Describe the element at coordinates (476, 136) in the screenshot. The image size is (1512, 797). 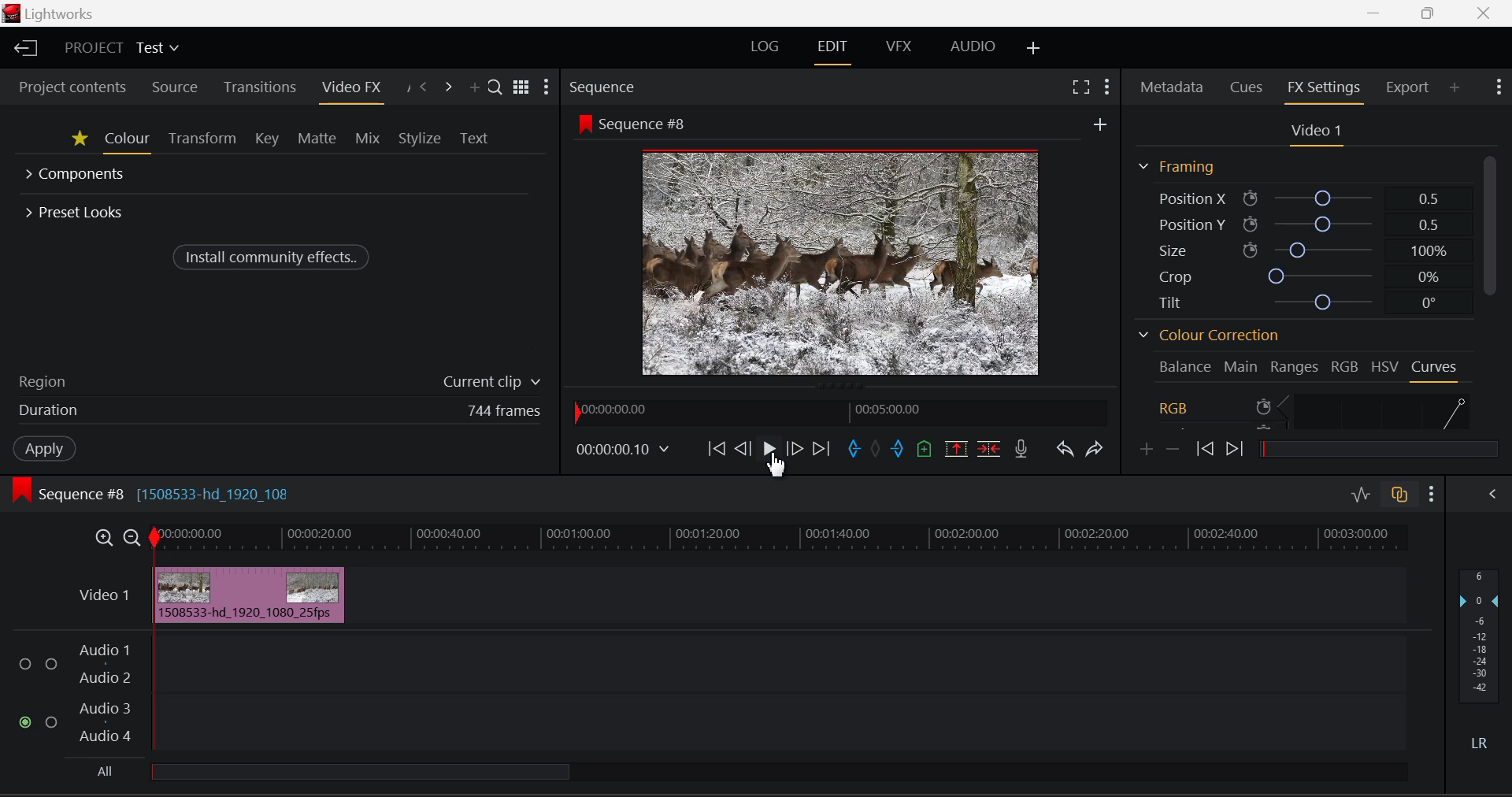
I see `Text` at that location.